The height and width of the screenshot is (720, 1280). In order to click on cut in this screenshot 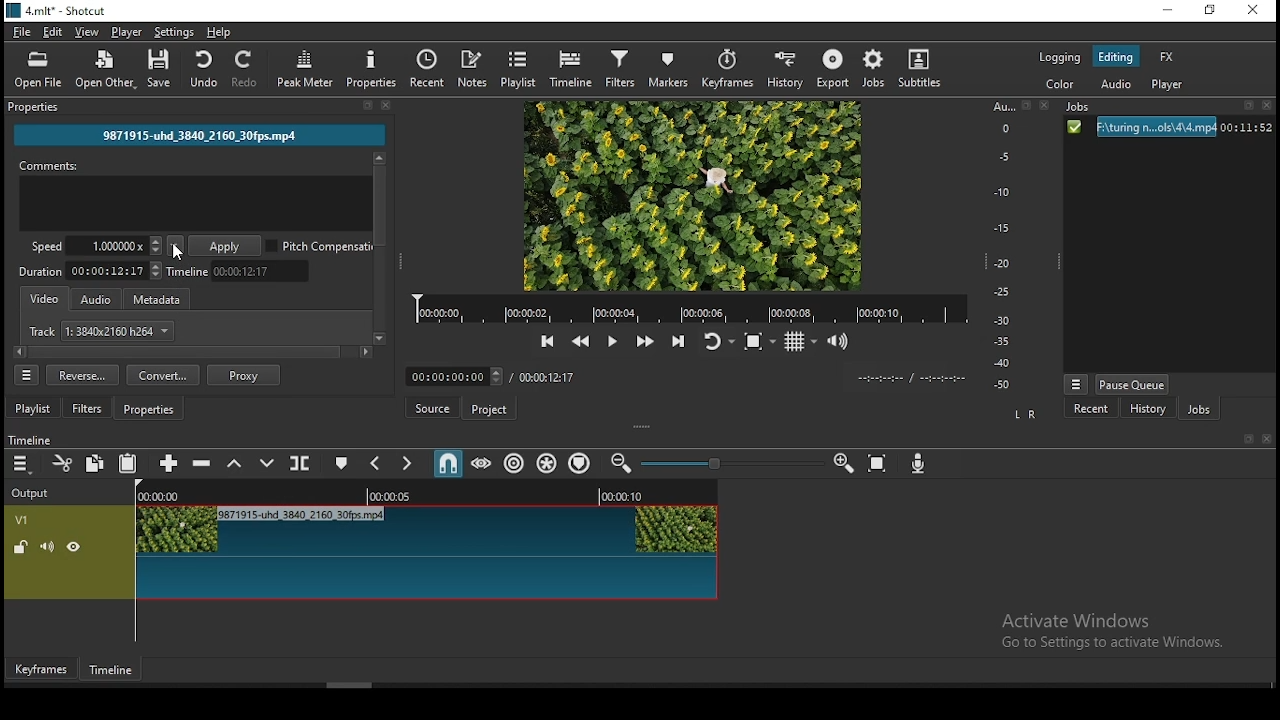, I will do `click(59, 463)`.